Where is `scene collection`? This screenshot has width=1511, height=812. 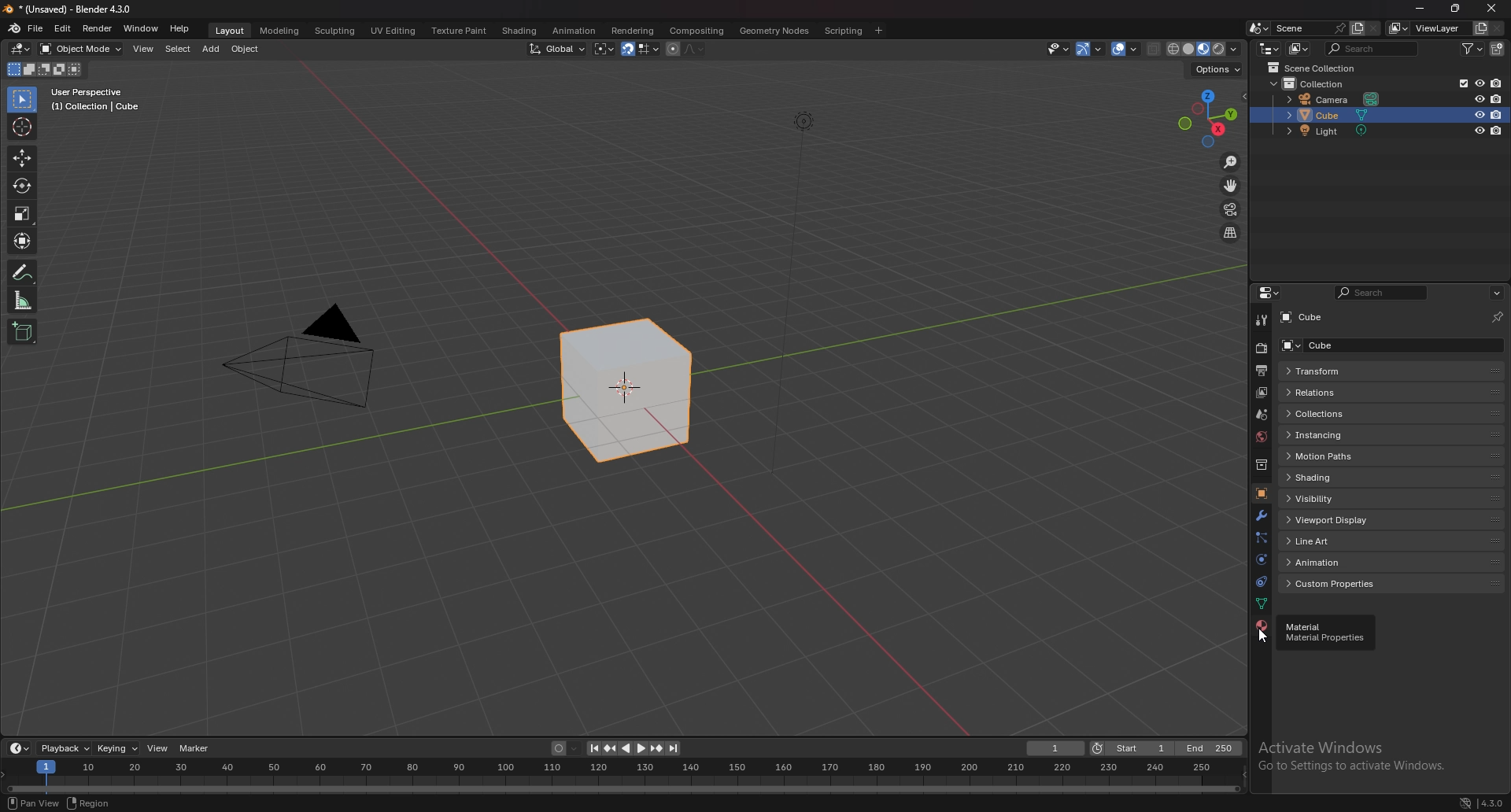
scene collection is located at coordinates (1316, 68).